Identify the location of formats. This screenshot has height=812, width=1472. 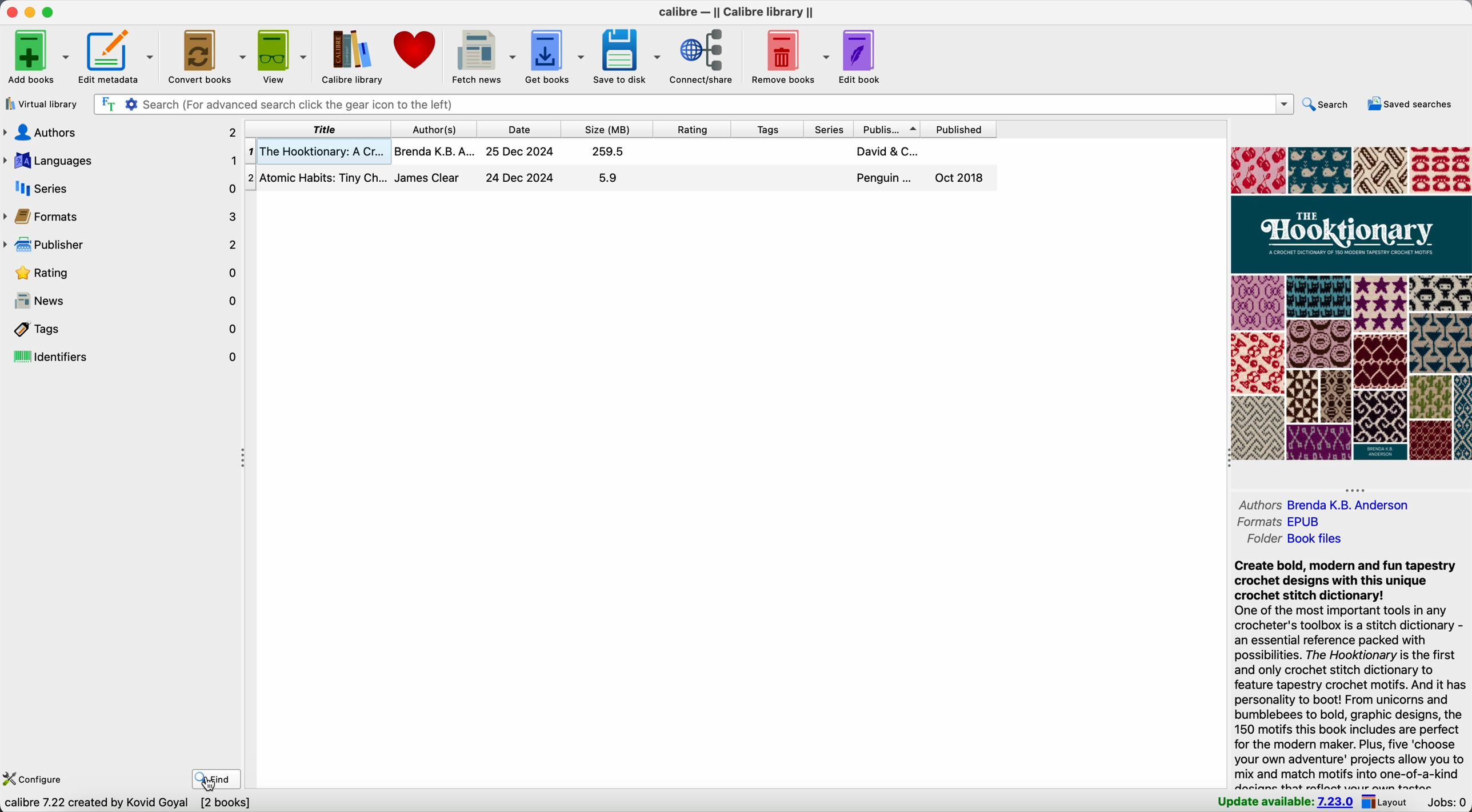
(1278, 523).